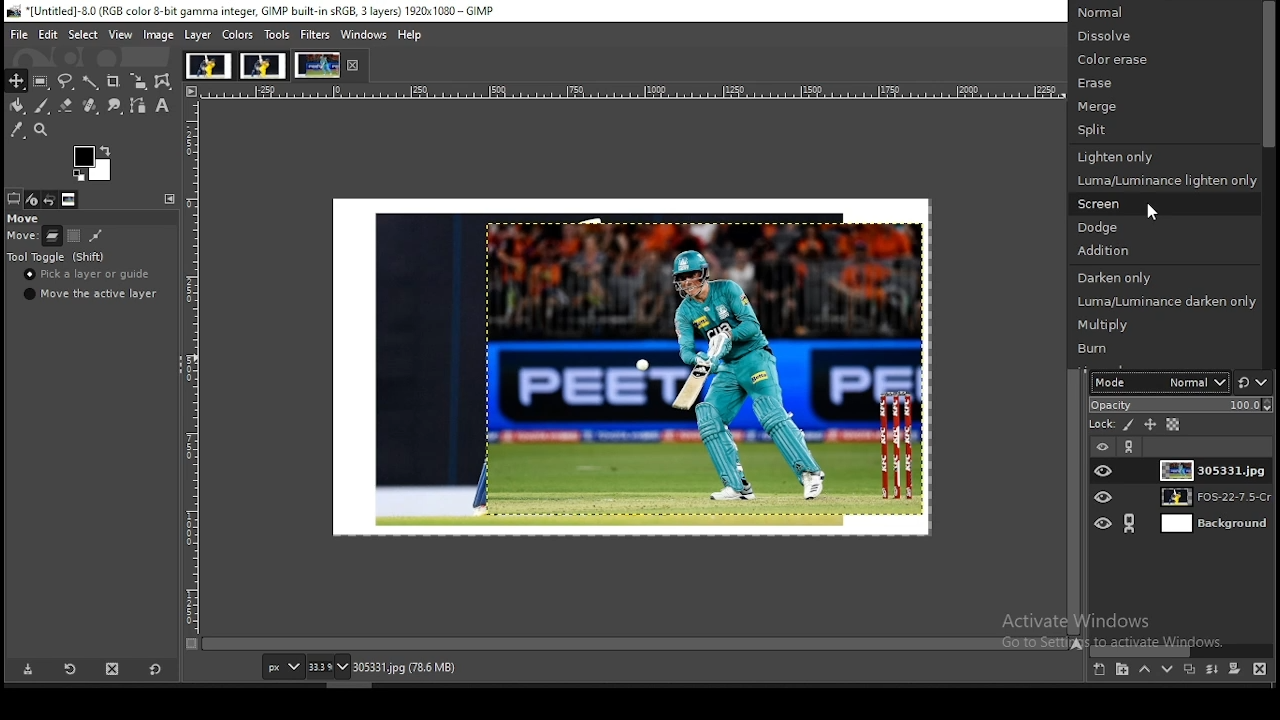 The width and height of the screenshot is (1280, 720). What do you see at coordinates (411, 36) in the screenshot?
I see `help` at bounding box center [411, 36].